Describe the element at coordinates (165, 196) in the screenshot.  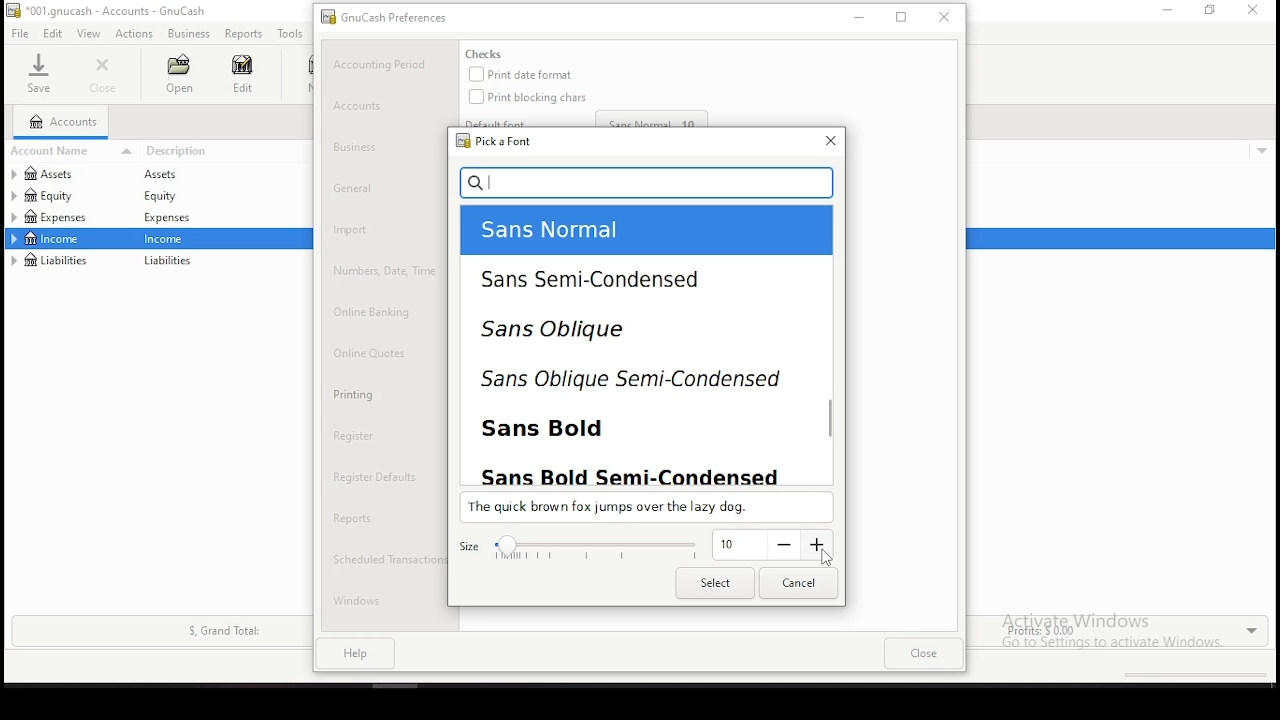
I see `equity` at that location.